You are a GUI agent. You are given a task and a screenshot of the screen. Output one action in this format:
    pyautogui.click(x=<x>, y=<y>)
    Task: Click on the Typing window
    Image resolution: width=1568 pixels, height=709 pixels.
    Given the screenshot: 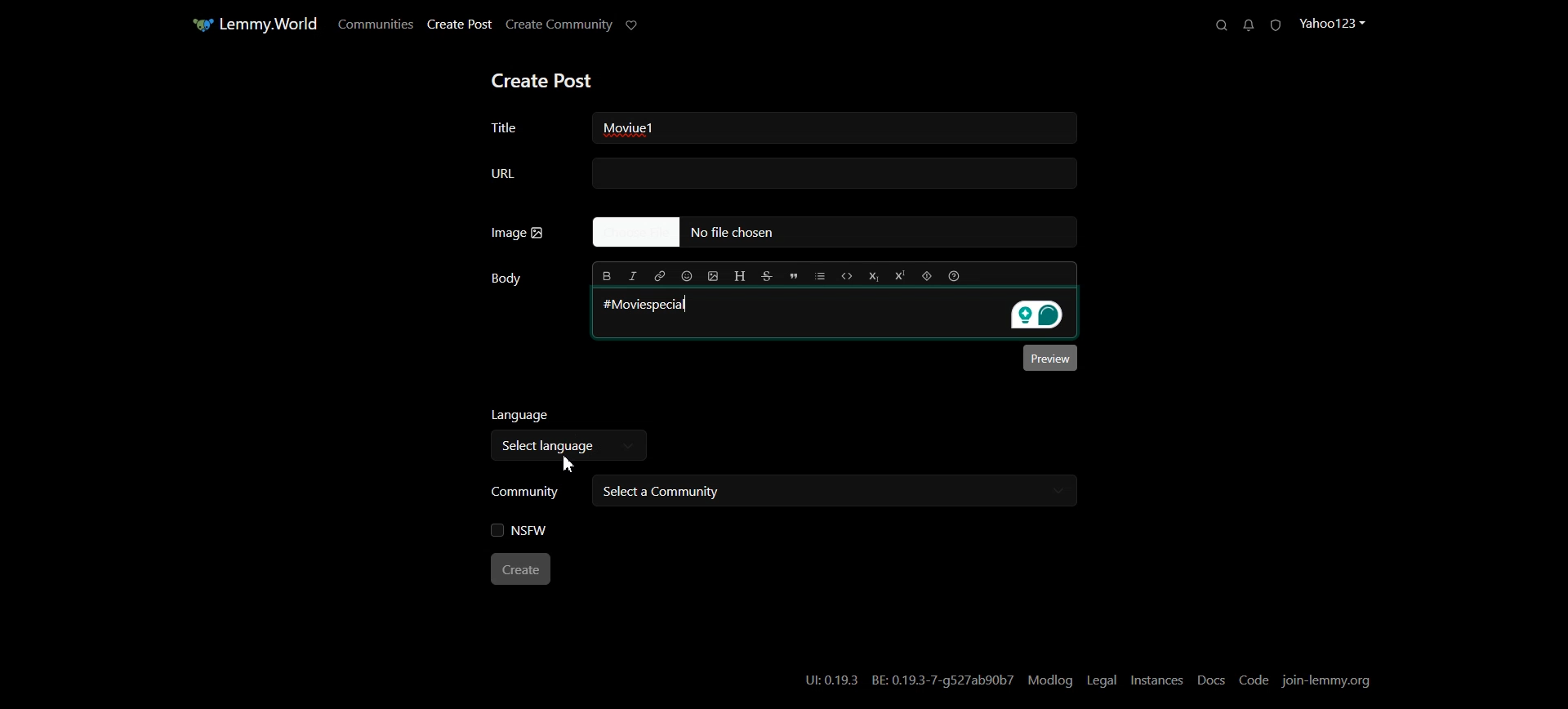 What is the action you would take?
    pyautogui.click(x=783, y=381)
    